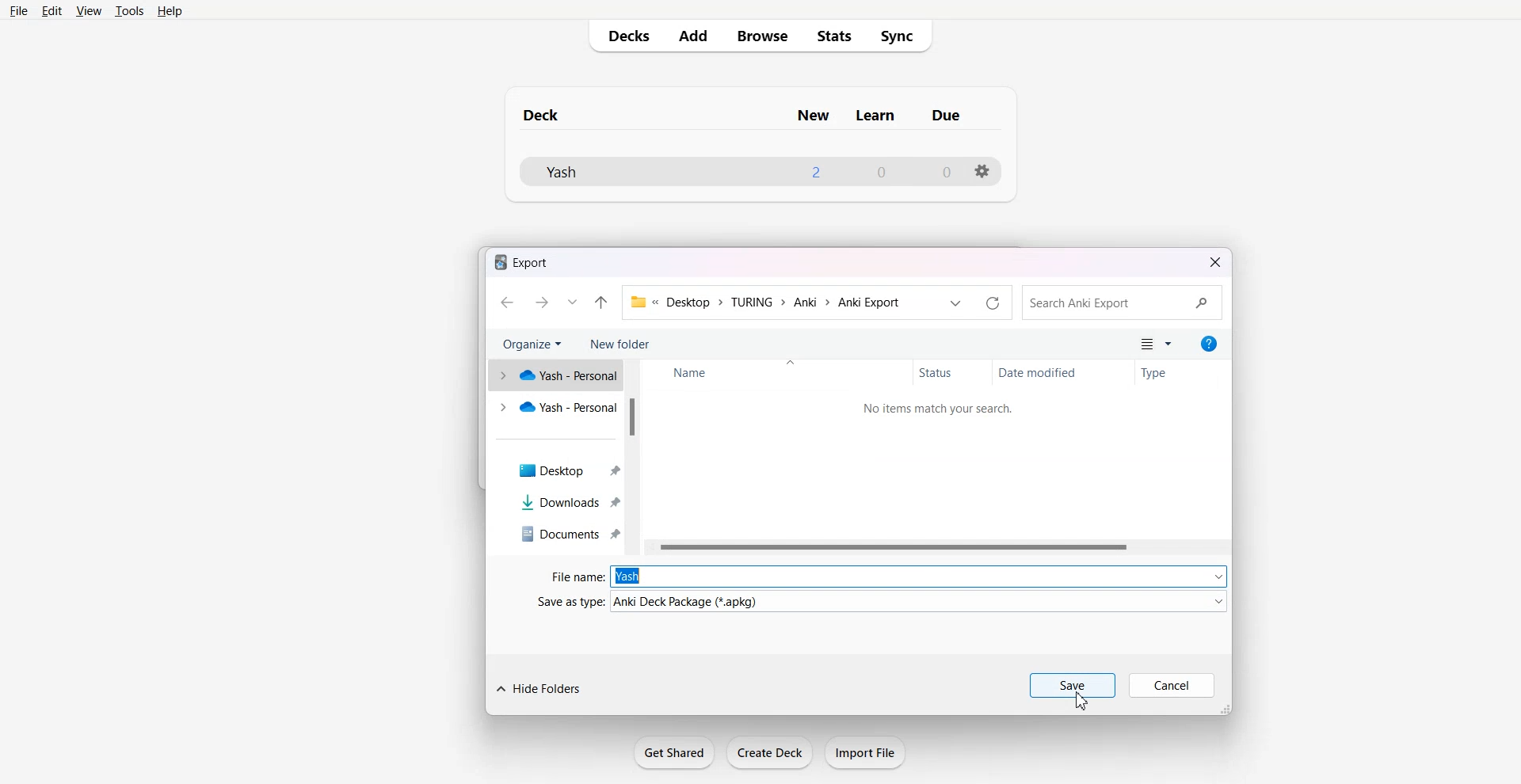 The width and height of the screenshot is (1521, 784). Describe the element at coordinates (992, 303) in the screenshot. I see `Refresh` at that location.